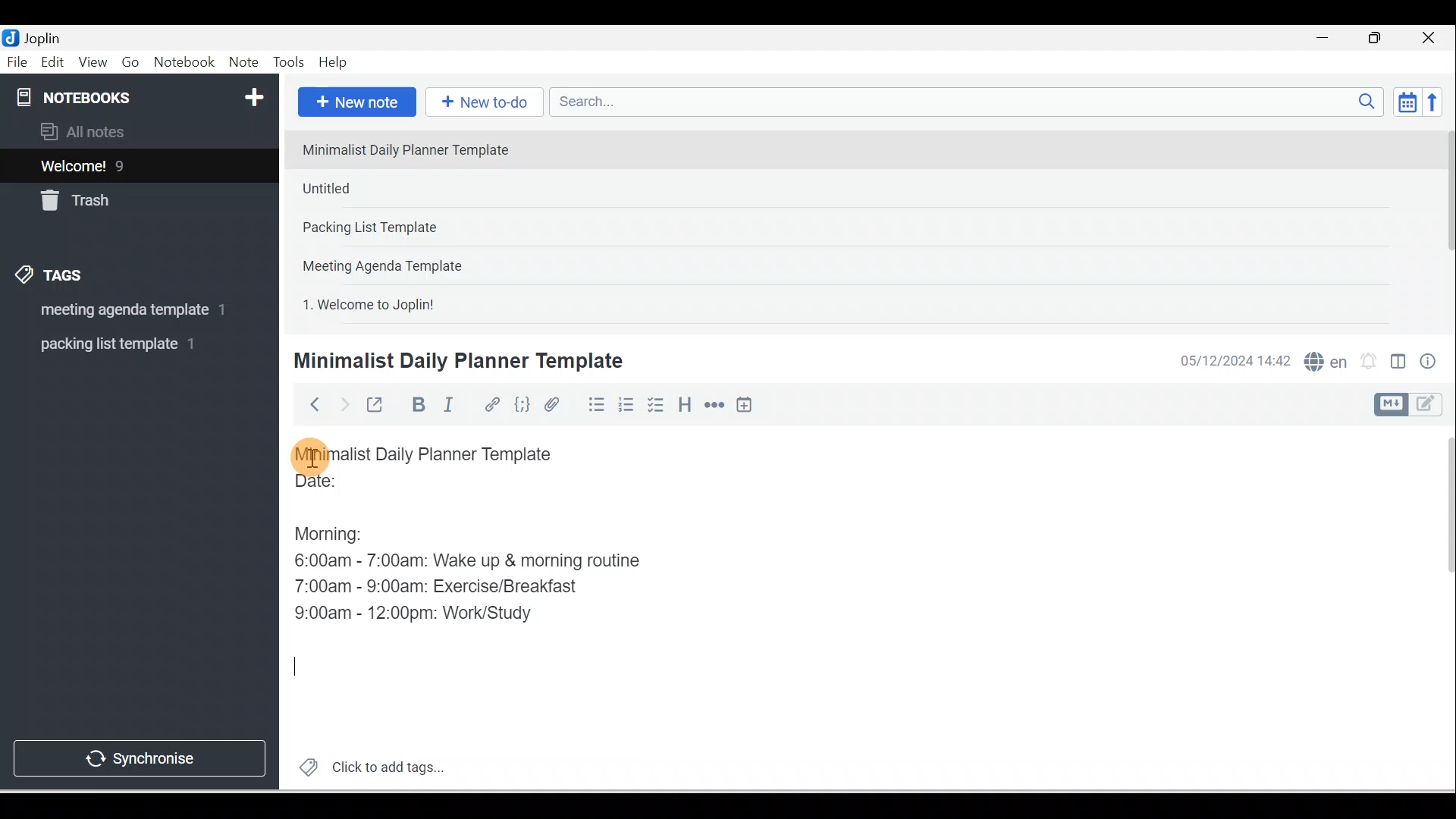 The width and height of the screenshot is (1456, 819). I want to click on 6:00am - 7:00am: Wake up & morning routine, so click(472, 560).